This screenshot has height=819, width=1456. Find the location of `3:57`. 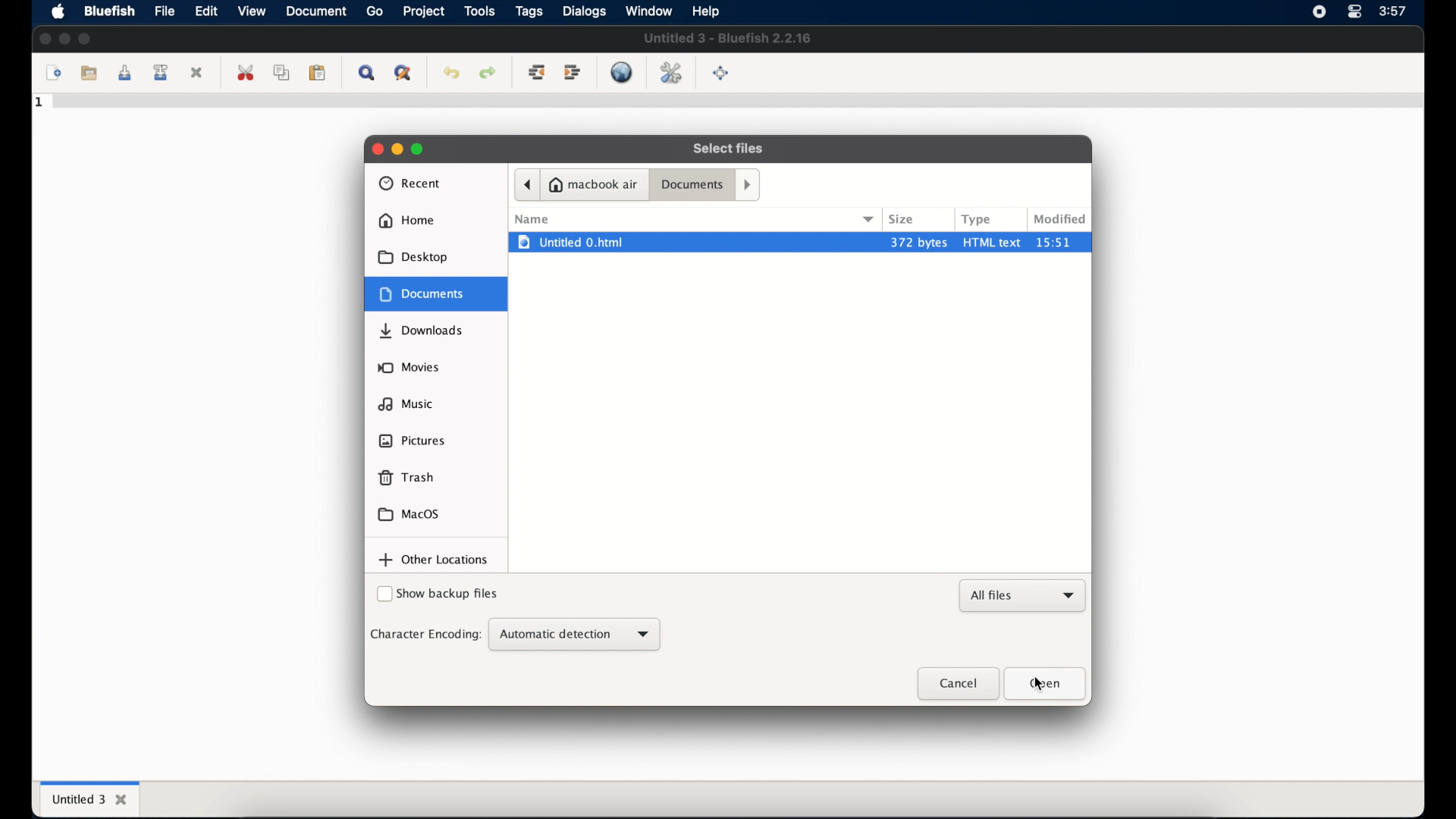

3:57 is located at coordinates (1395, 10).